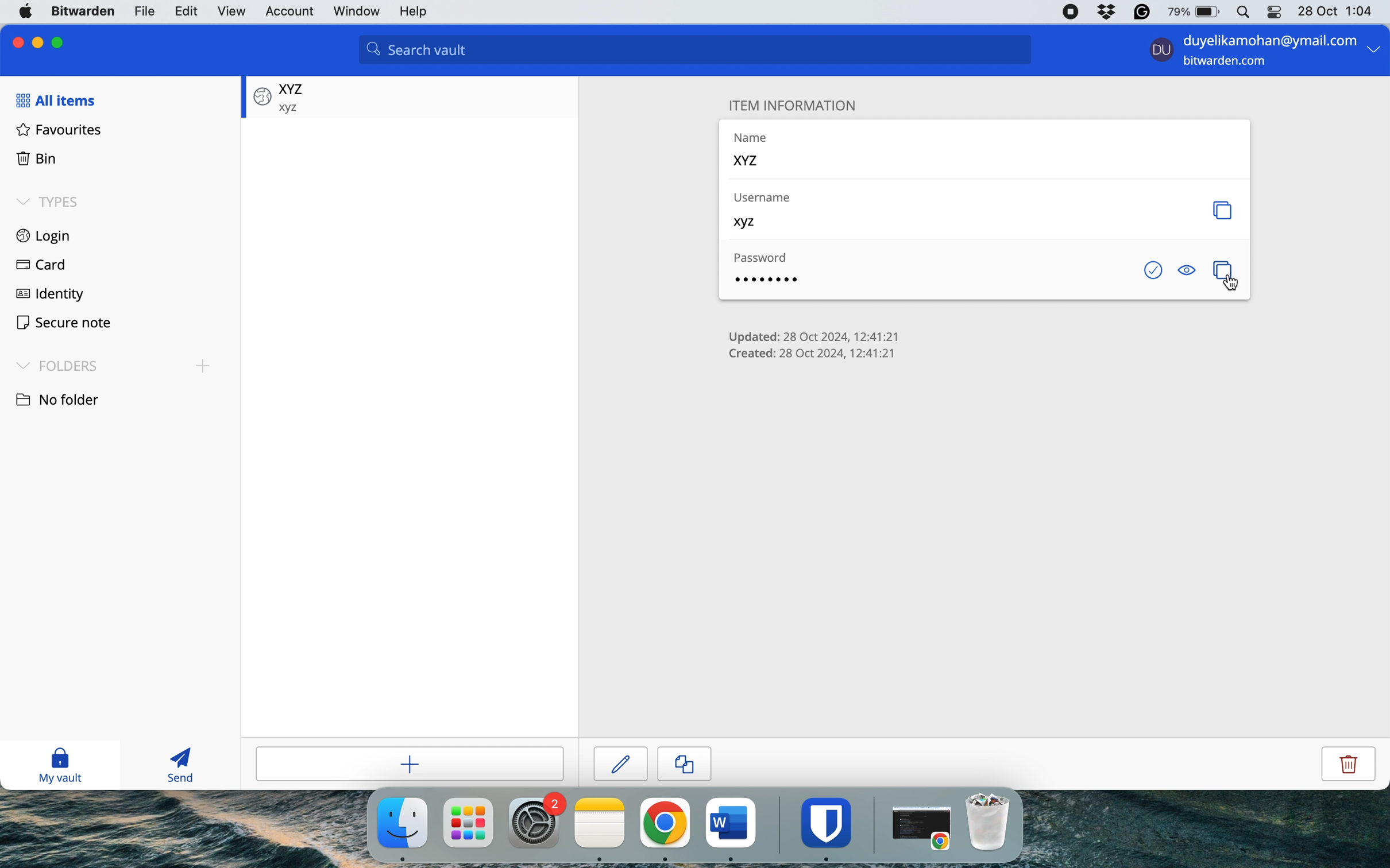  I want to click on more option, so click(1374, 52).